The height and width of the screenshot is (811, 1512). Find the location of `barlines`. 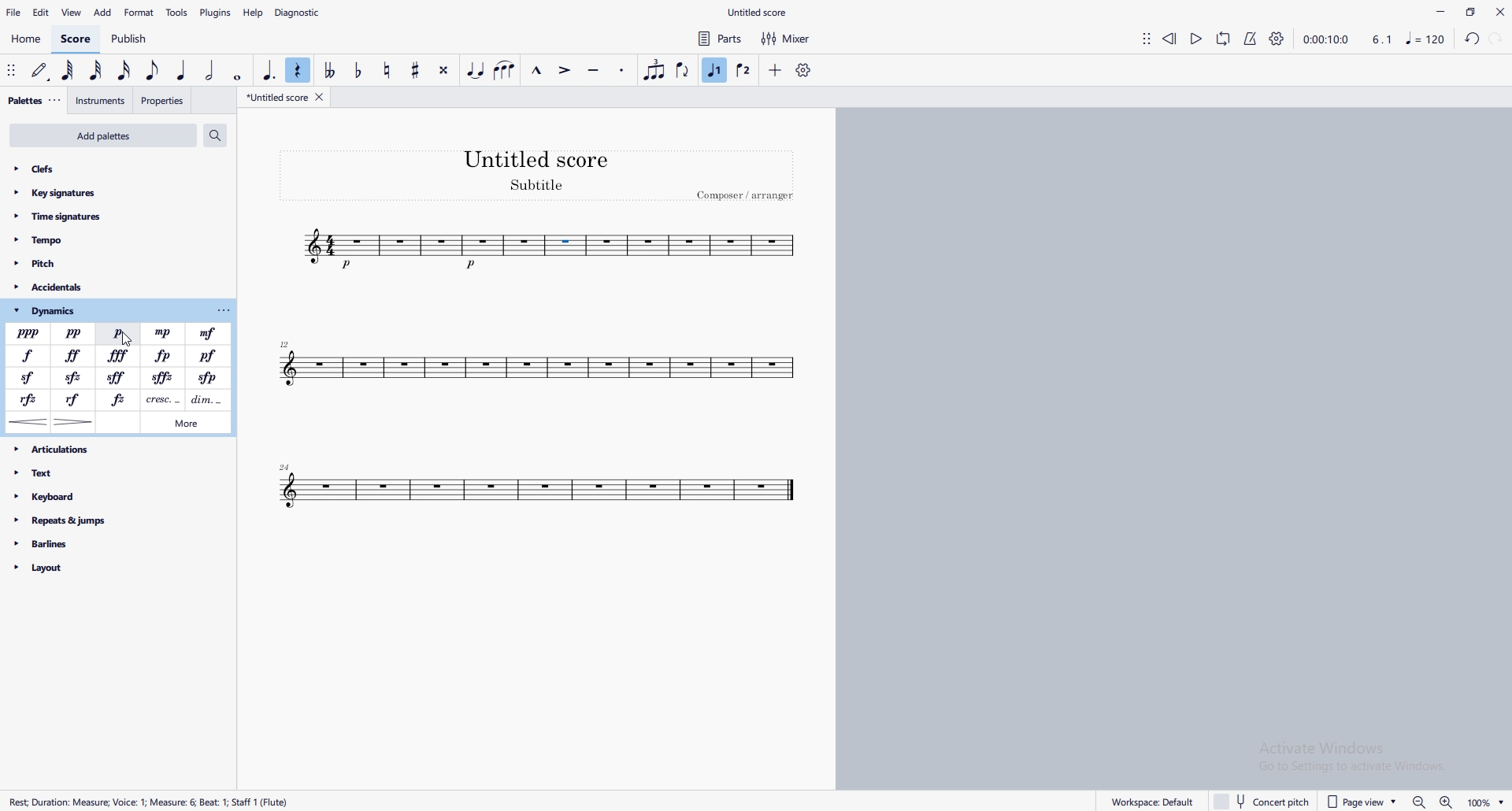

barlines is located at coordinates (99, 543).